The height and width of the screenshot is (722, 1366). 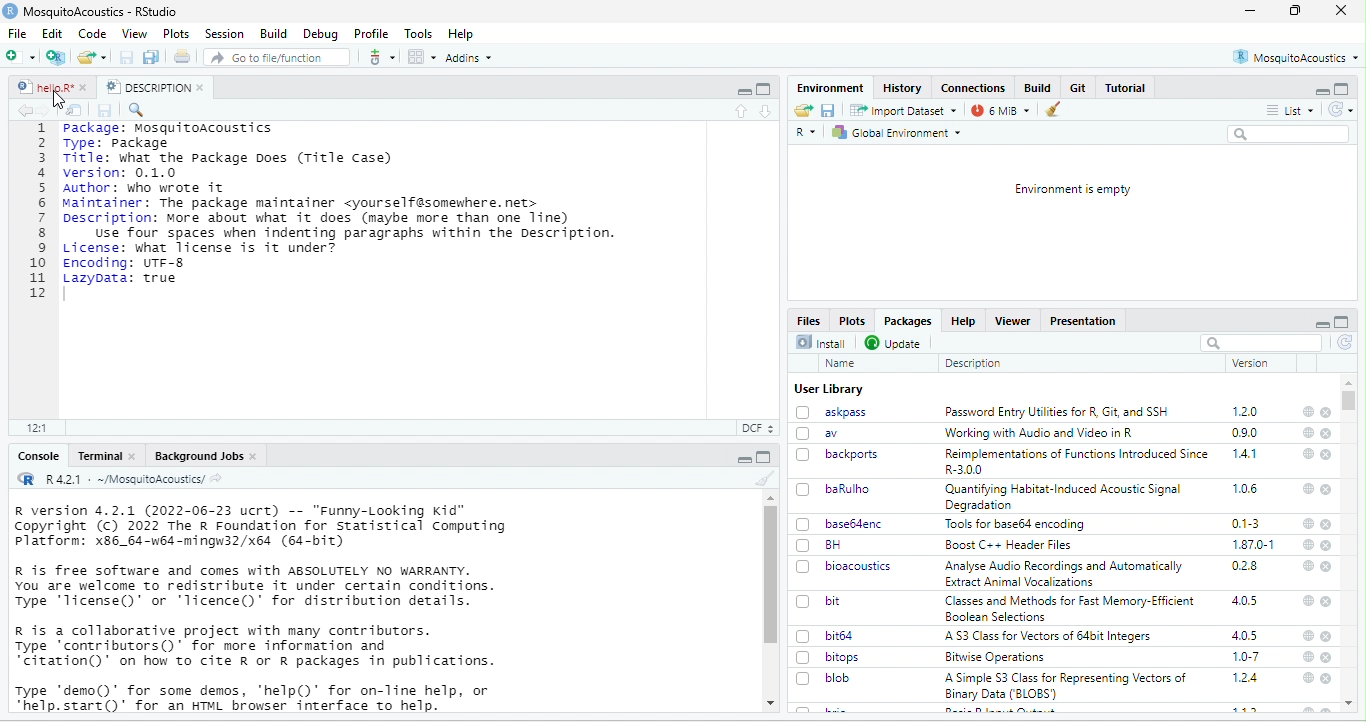 I want to click on R is free software and comes with ABSOLUTELY NO WARRANTY.
You are welcome to redistribute it under certain conditions.
Type 'license()' or 'licence()' for distribution details., so click(x=260, y=586).